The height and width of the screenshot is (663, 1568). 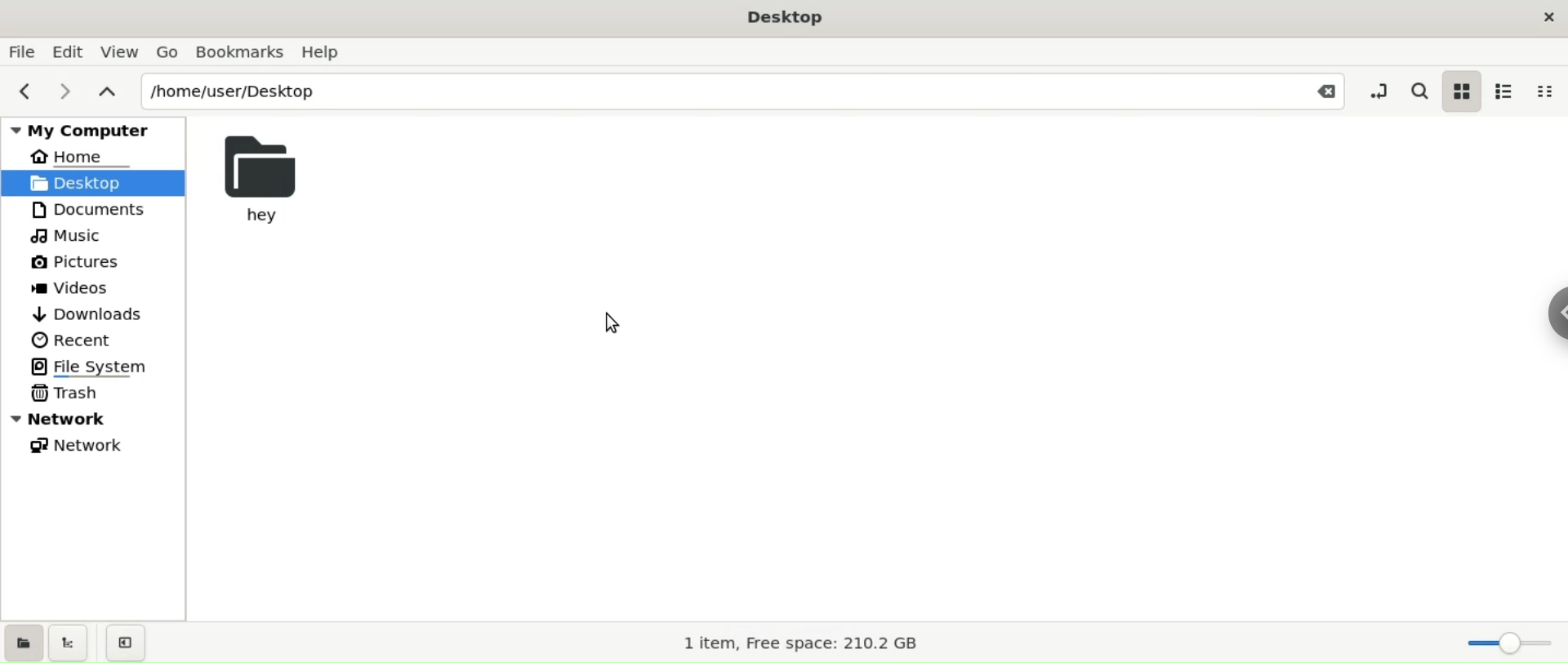 I want to click on chrome options, so click(x=1543, y=301).